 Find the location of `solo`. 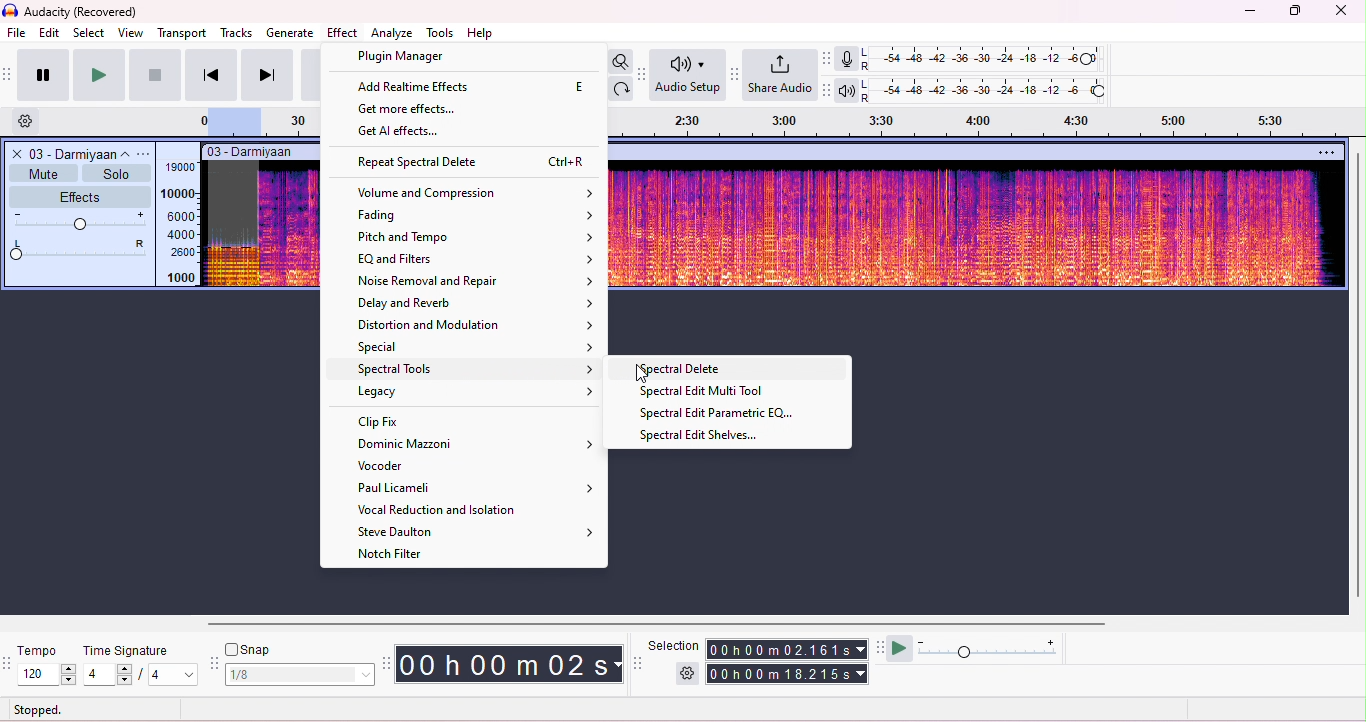

solo is located at coordinates (116, 173).